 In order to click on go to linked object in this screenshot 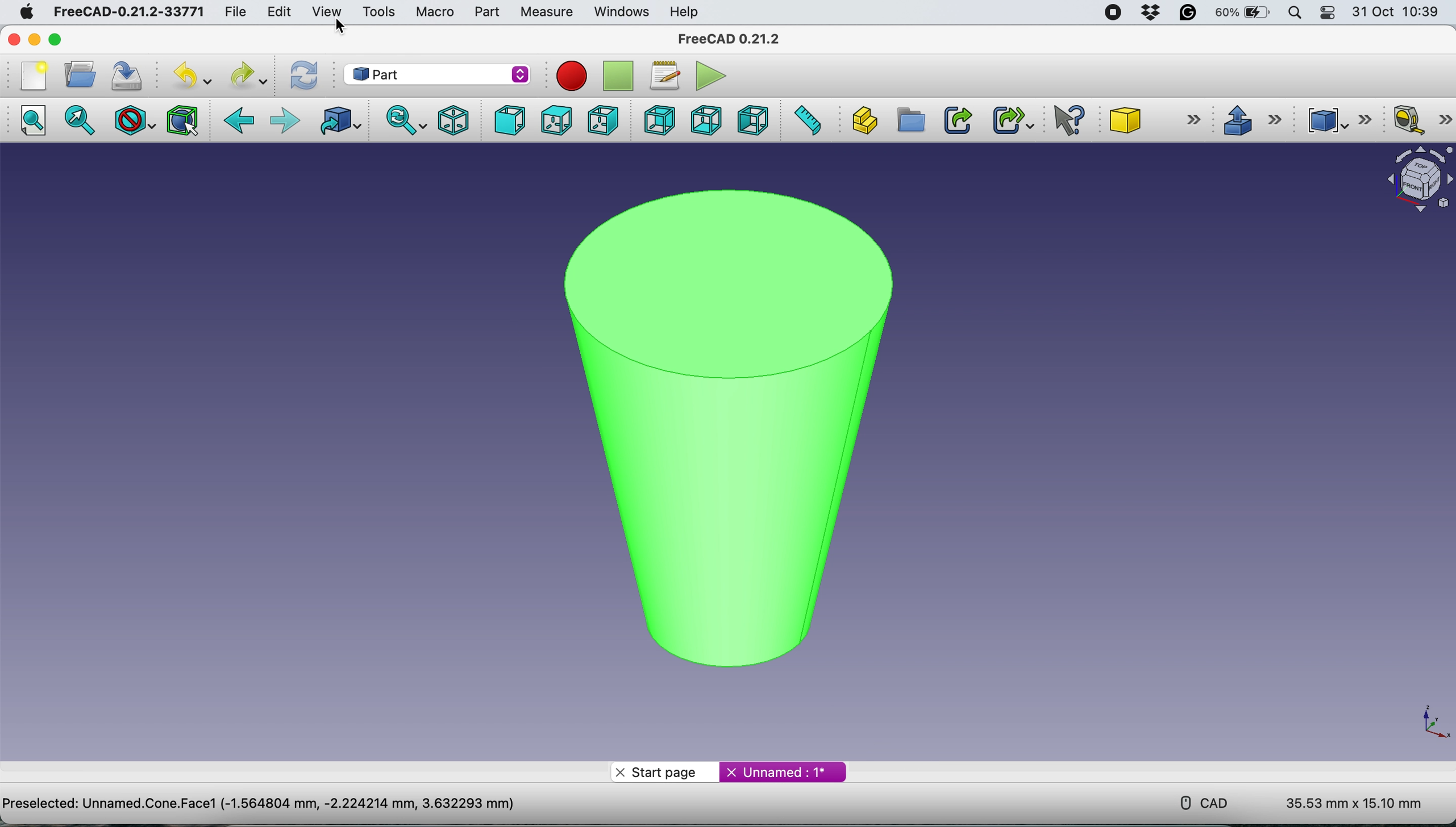, I will do `click(337, 122)`.